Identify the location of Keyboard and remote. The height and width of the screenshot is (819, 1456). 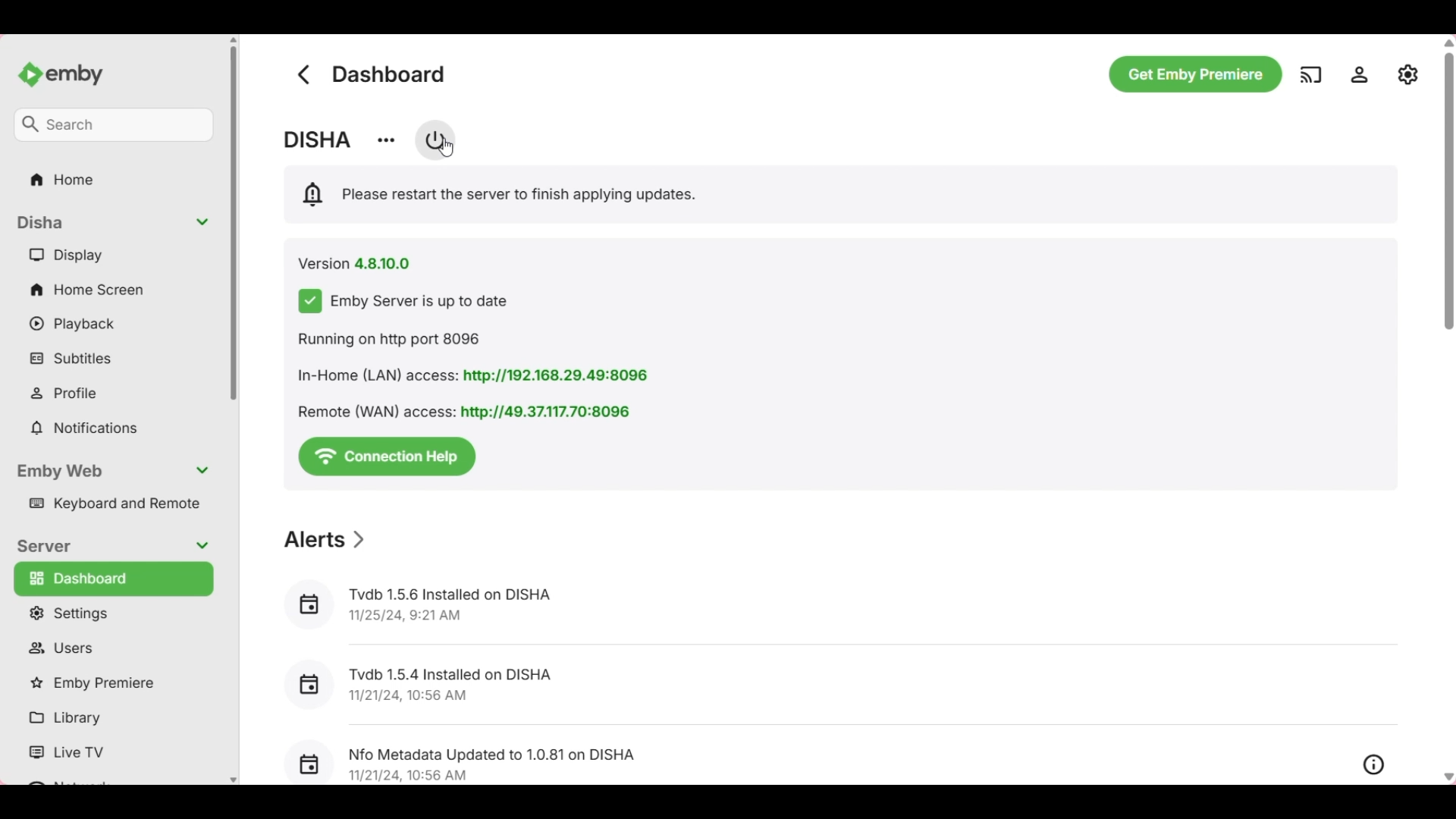
(111, 504).